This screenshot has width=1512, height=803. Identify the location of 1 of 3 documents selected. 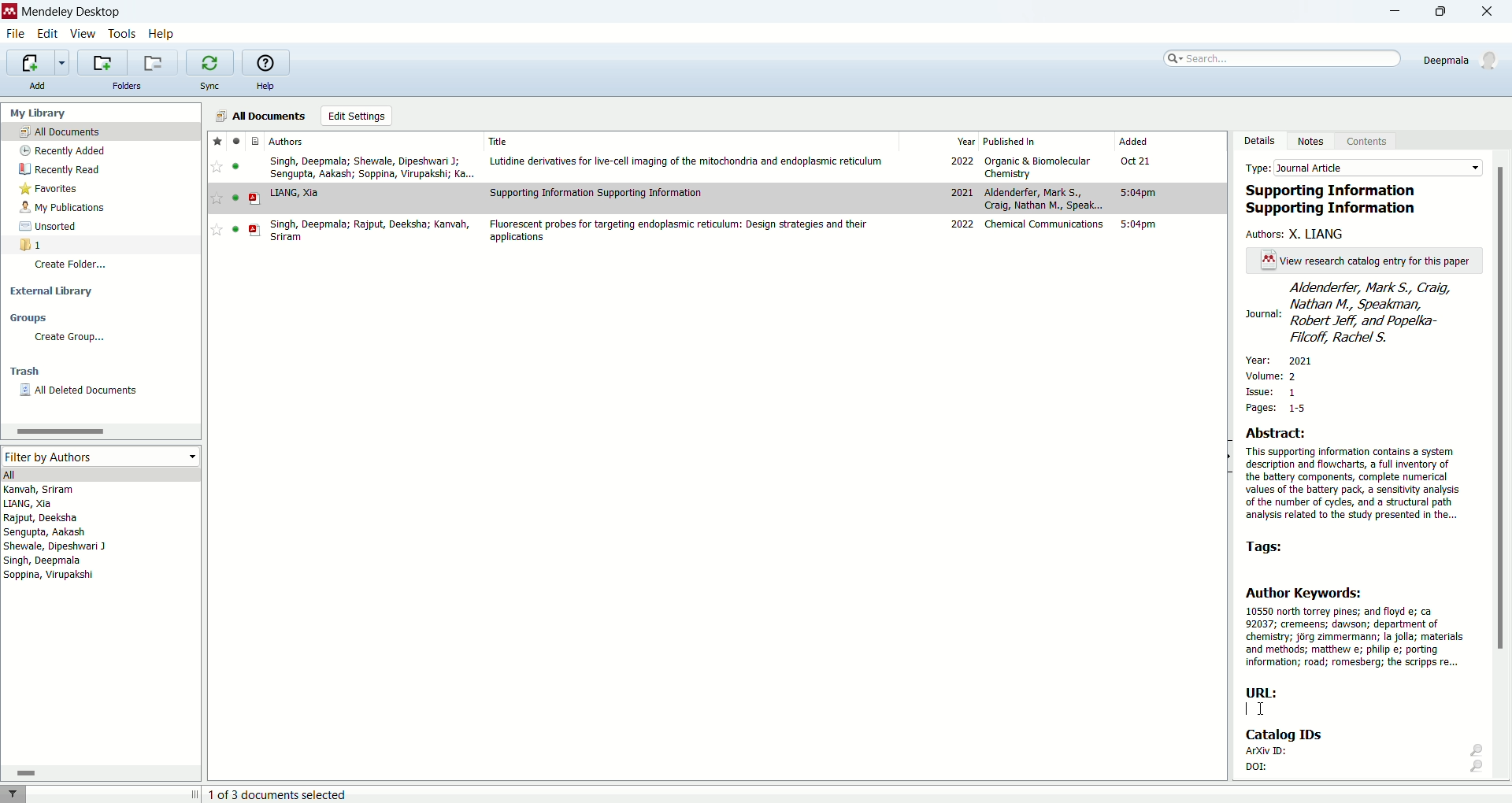
(278, 794).